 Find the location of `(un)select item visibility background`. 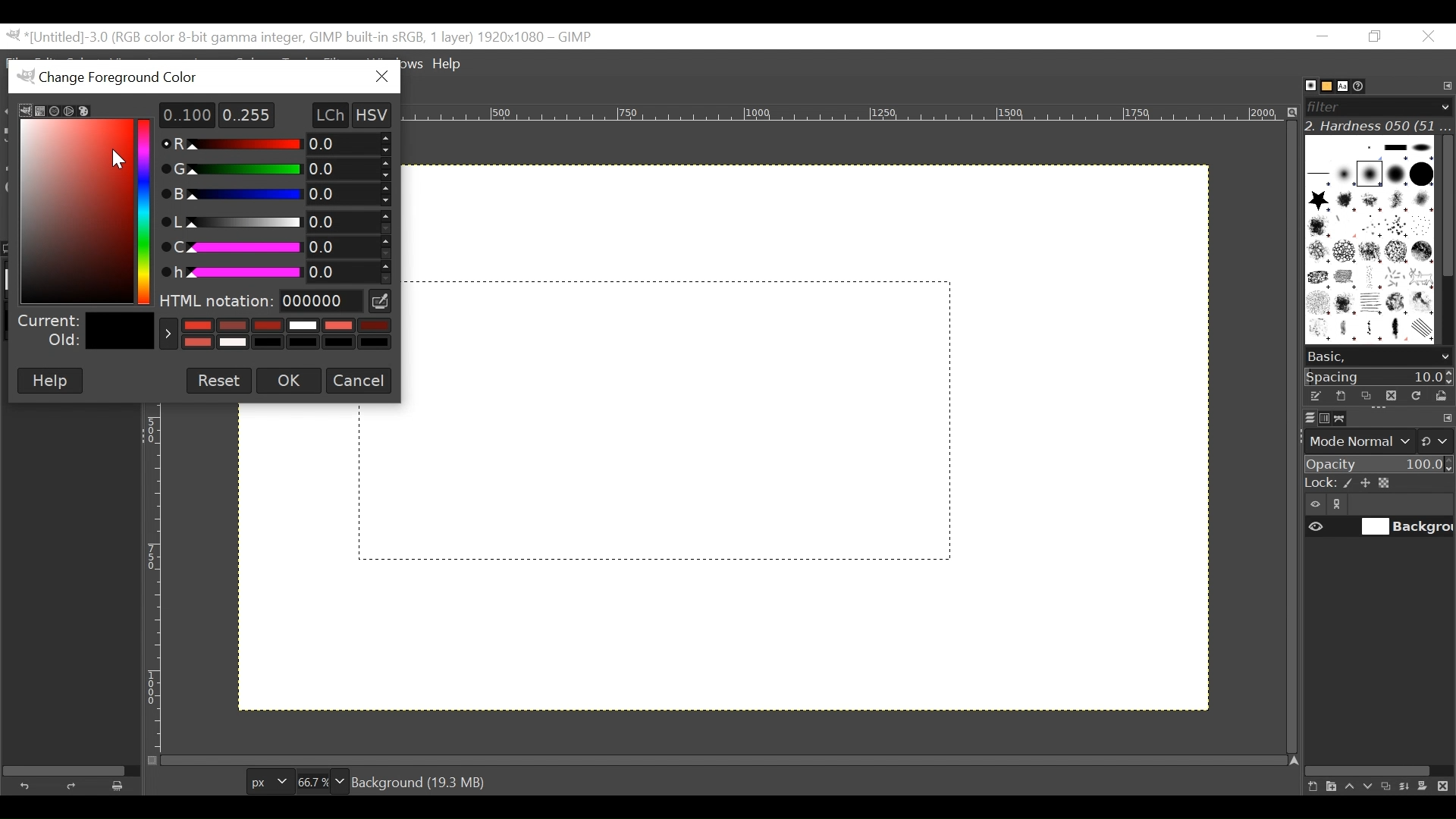

(un)select item visibility background is located at coordinates (1379, 529).